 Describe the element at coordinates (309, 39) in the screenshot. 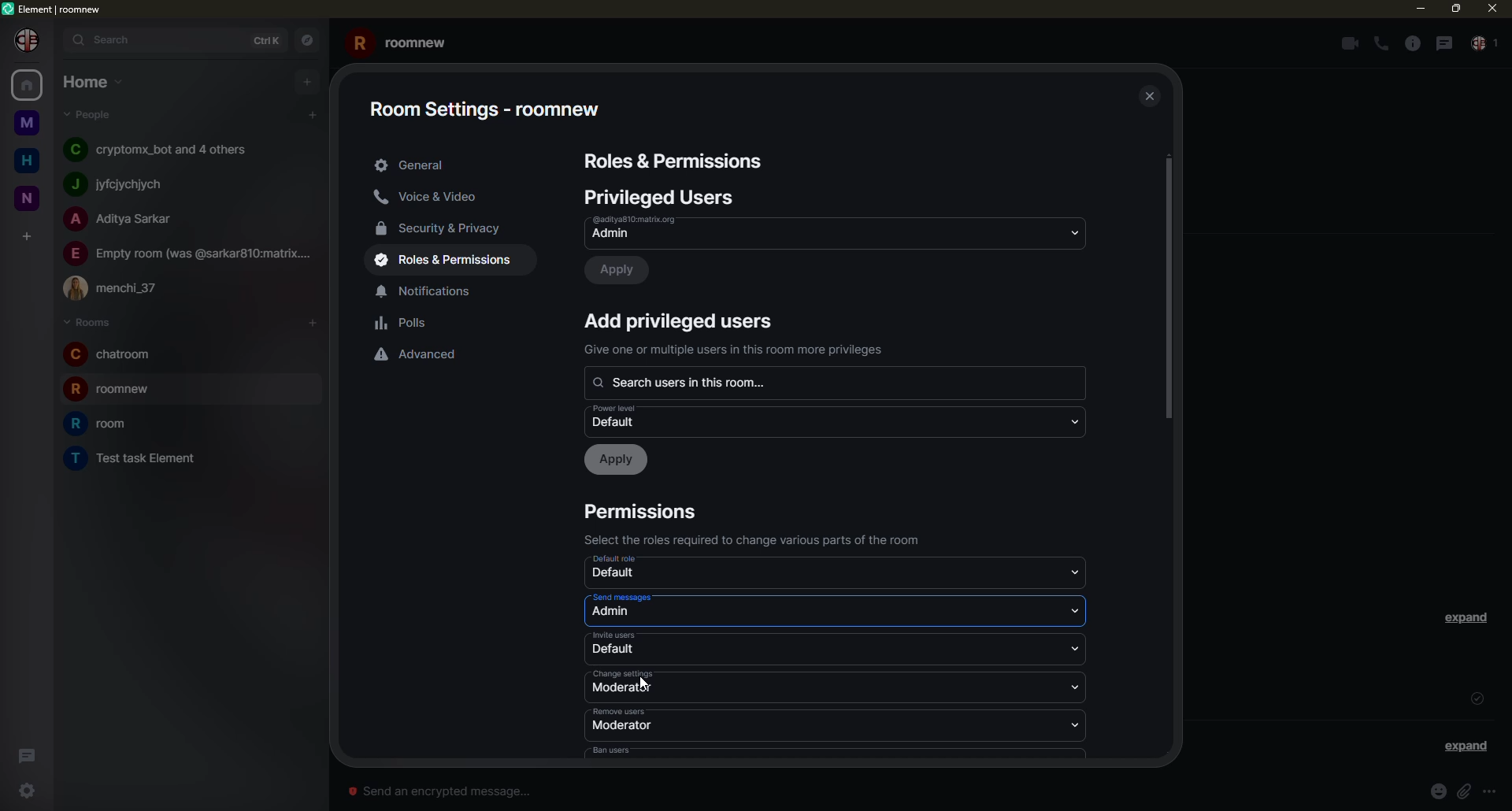

I see `navigator` at that location.